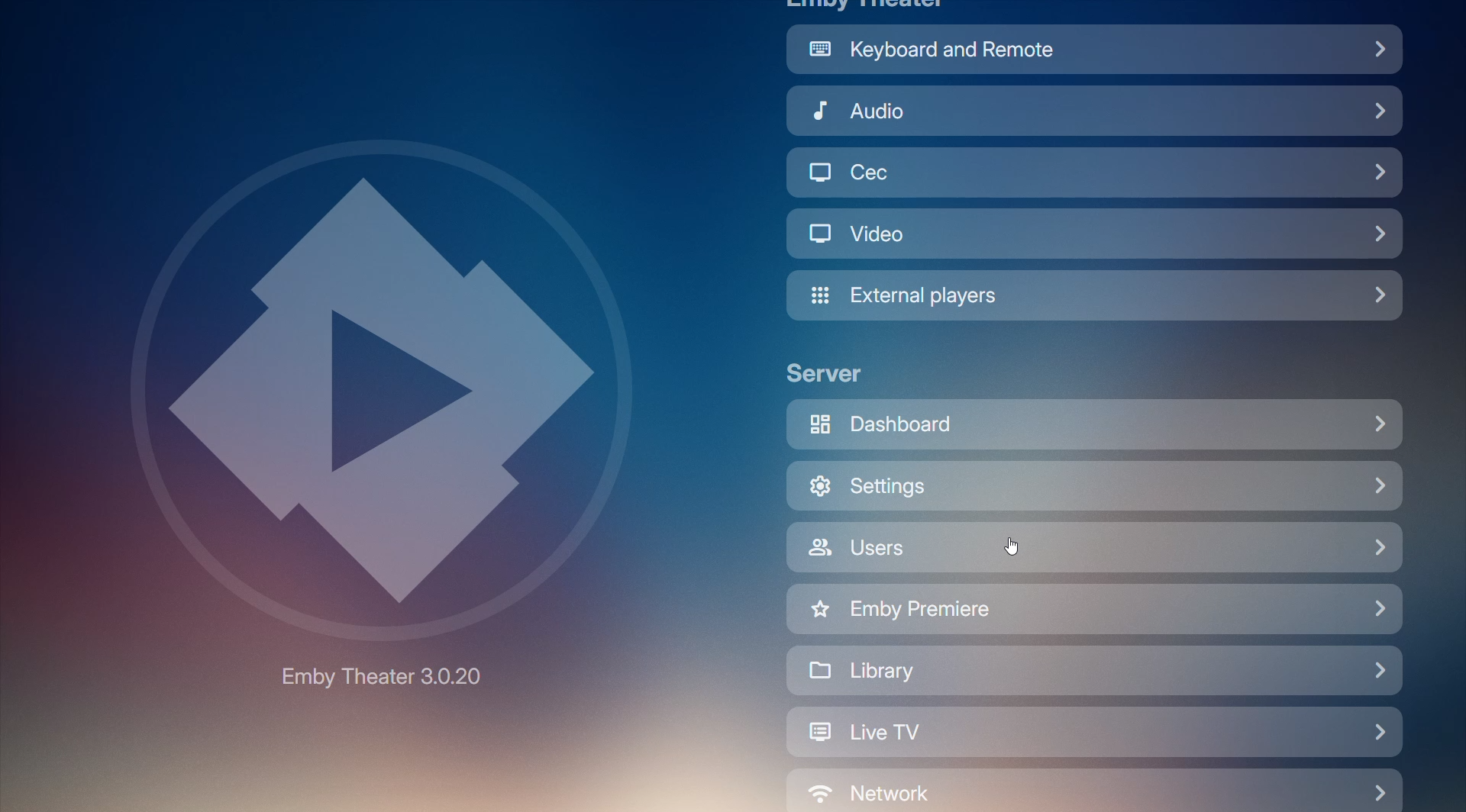  I want to click on Audio, so click(1093, 114).